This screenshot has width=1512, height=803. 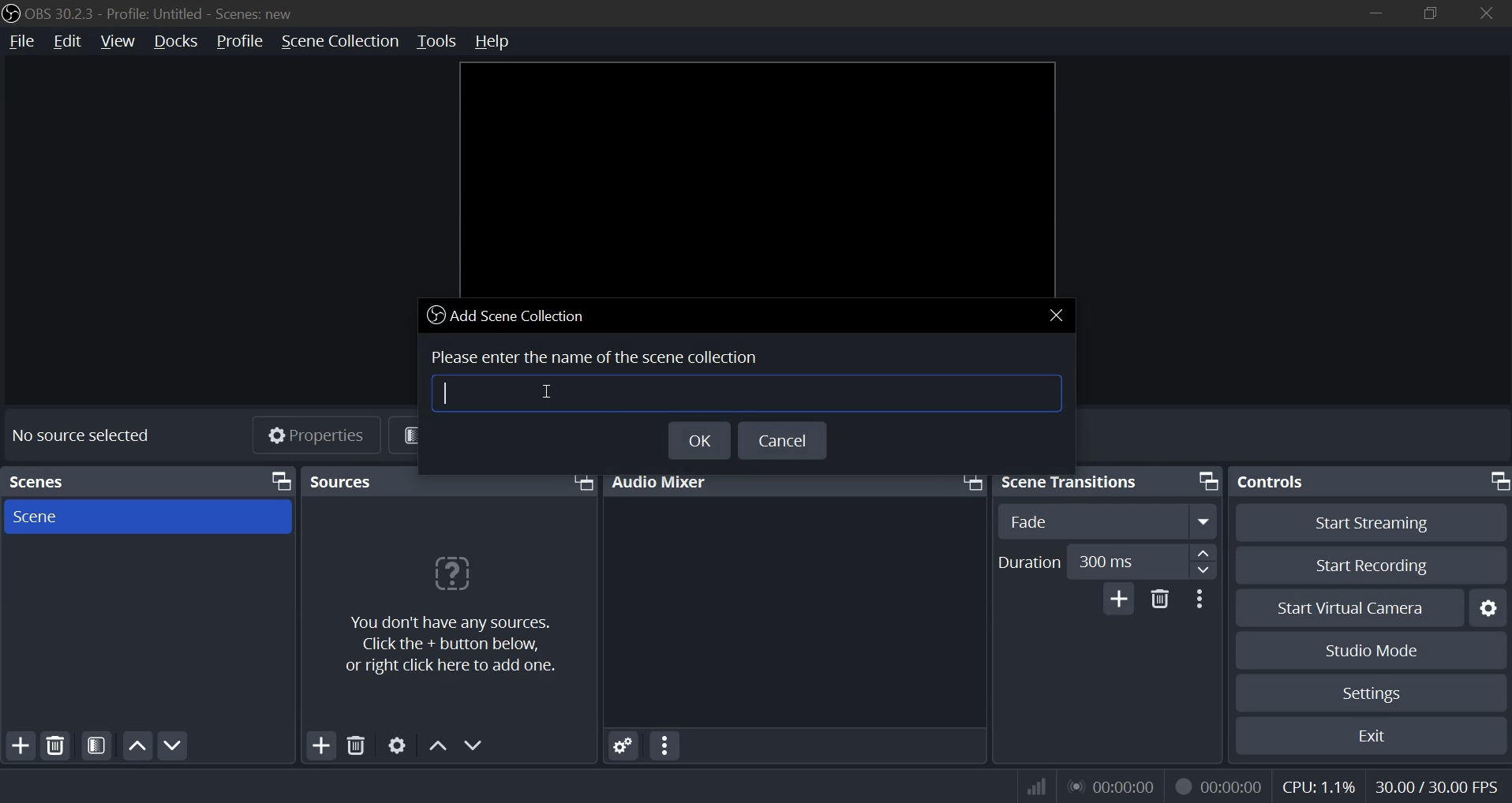 I want to click on bring front, so click(x=970, y=480).